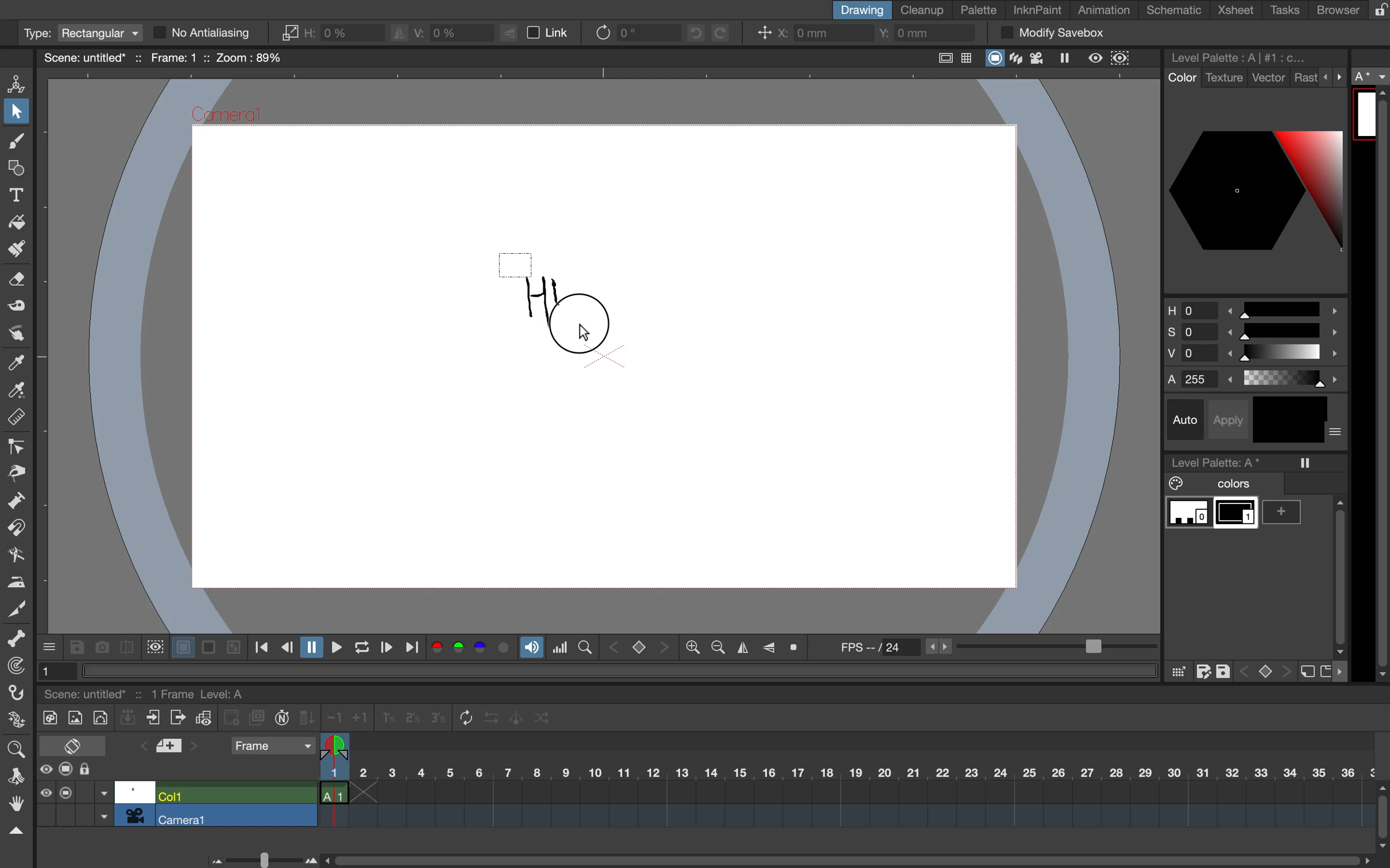 Image resolution: width=1390 pixels, height=868 pixels. What do you see at coordinates (1305, 79) in the screenshot?
I see `rast` at bounding box center [1305, 79].